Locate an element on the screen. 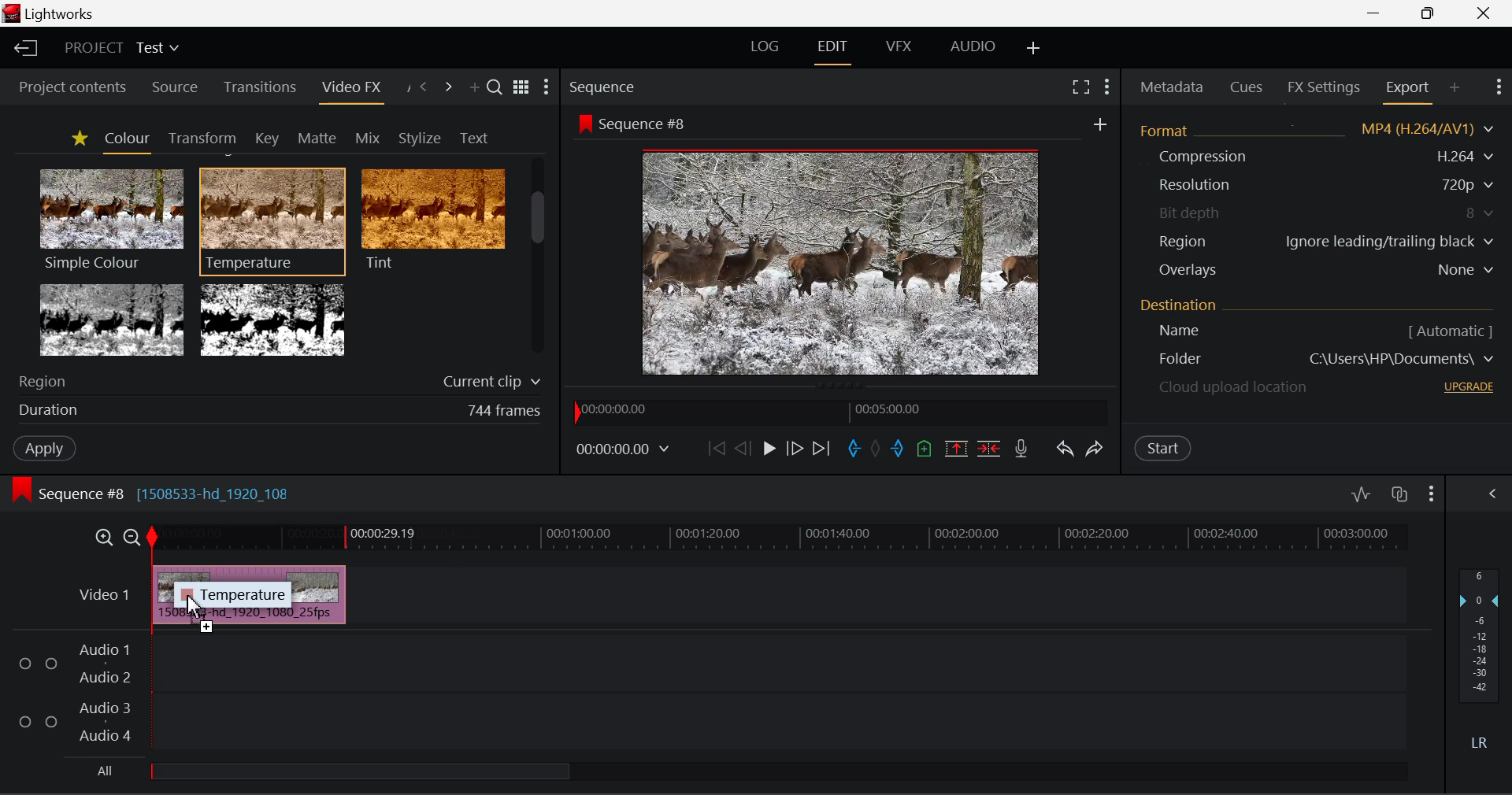 Image resolution: width=1512 pixels, height=795 pixels. Name [ Automatic ] is located at coordinates (1173, 331).